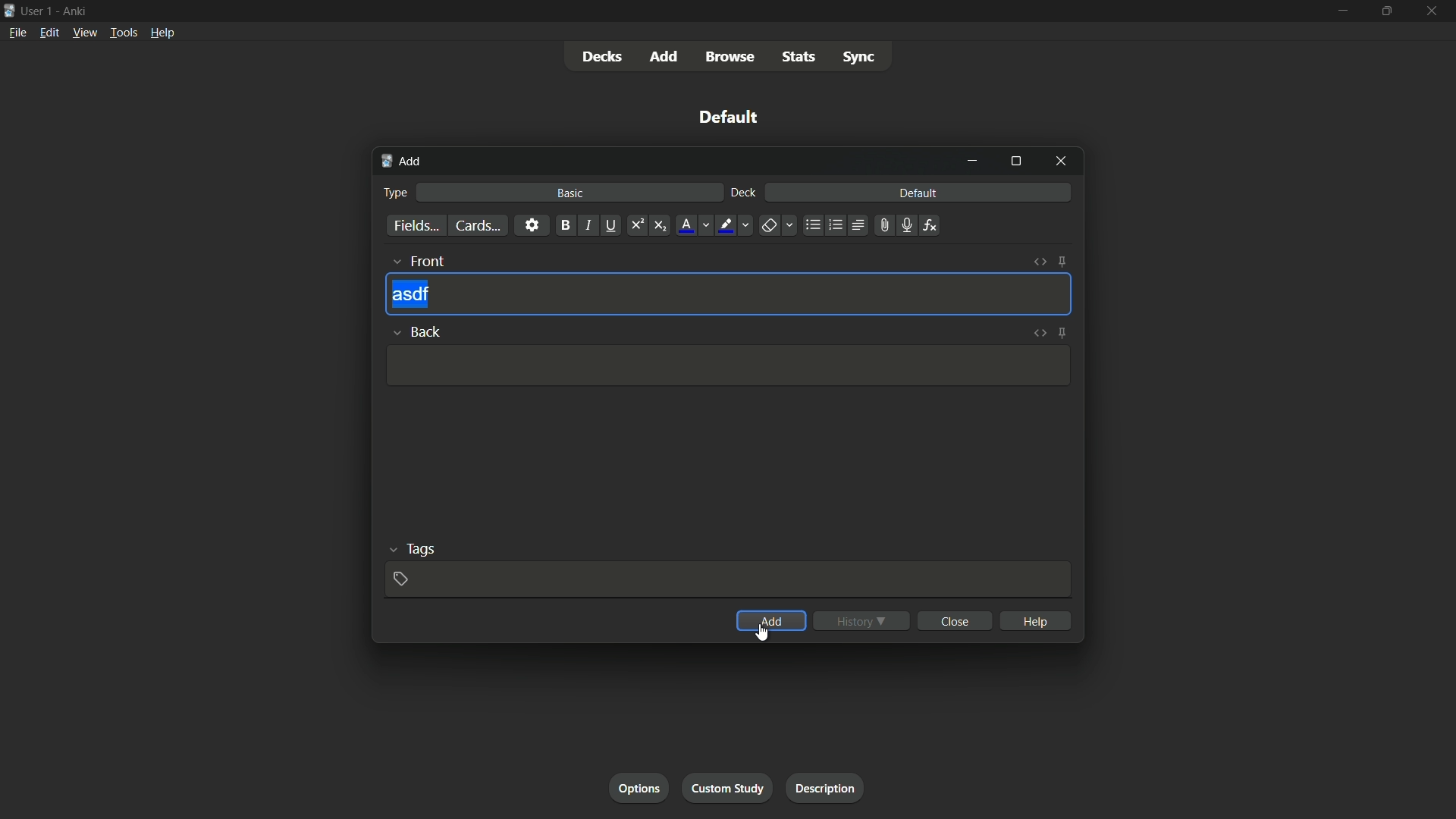  I want to click on toggle html editor, so click(1038, 333).